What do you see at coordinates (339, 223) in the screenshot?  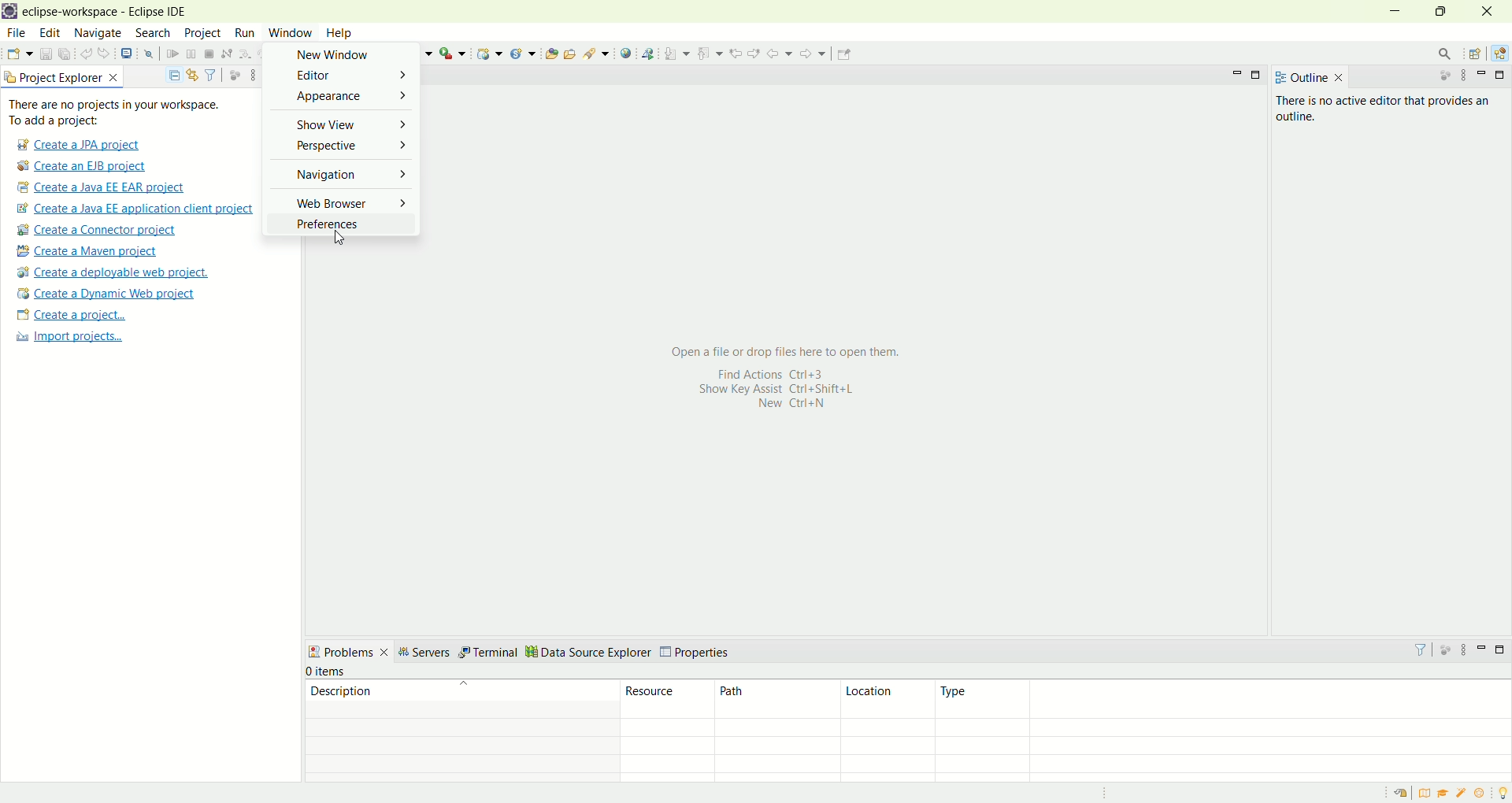 I see `preferences` at bounding box center [339, 223].